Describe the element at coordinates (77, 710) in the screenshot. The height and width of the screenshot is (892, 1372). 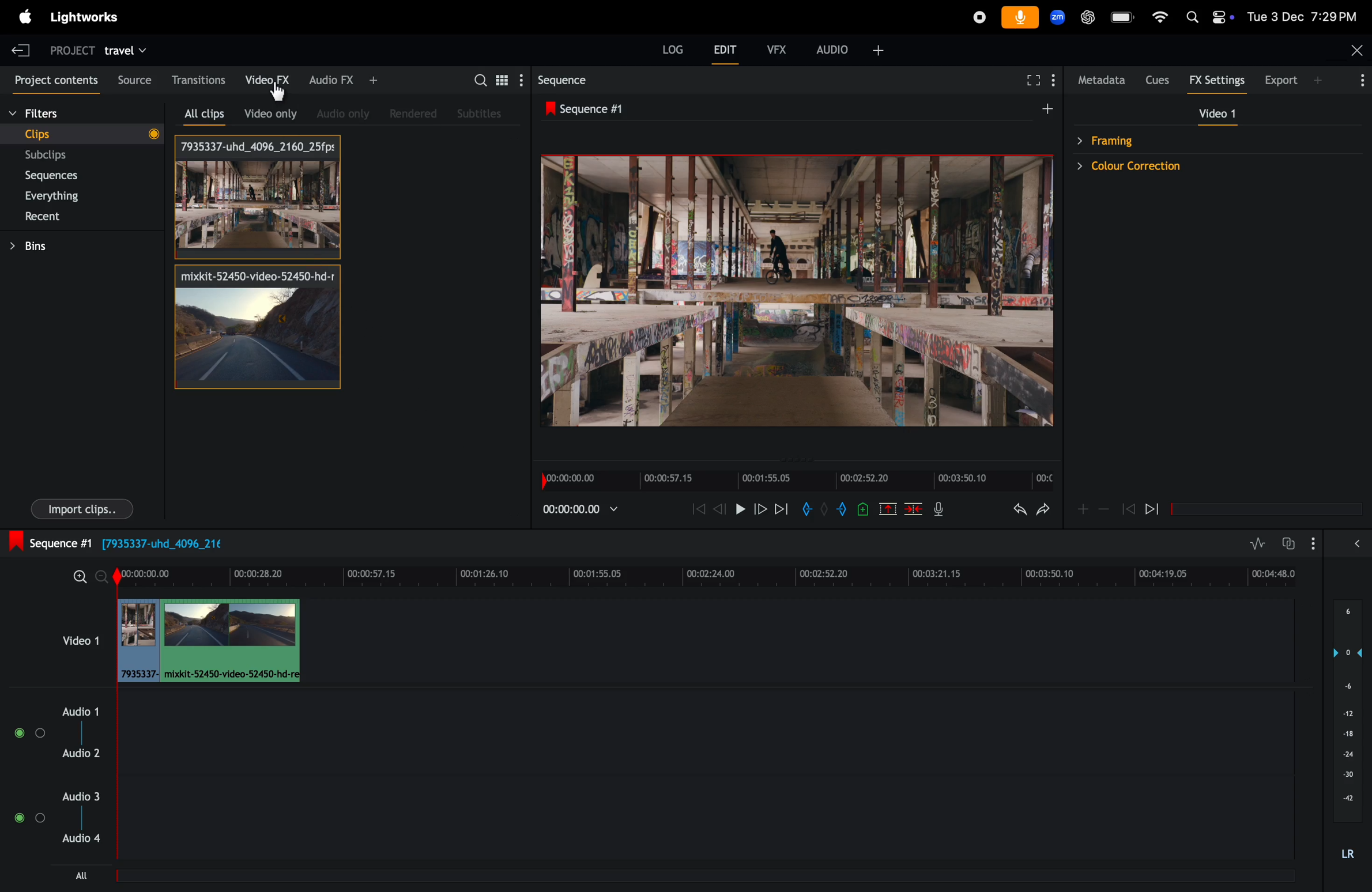
I see `audio 1` at that location.